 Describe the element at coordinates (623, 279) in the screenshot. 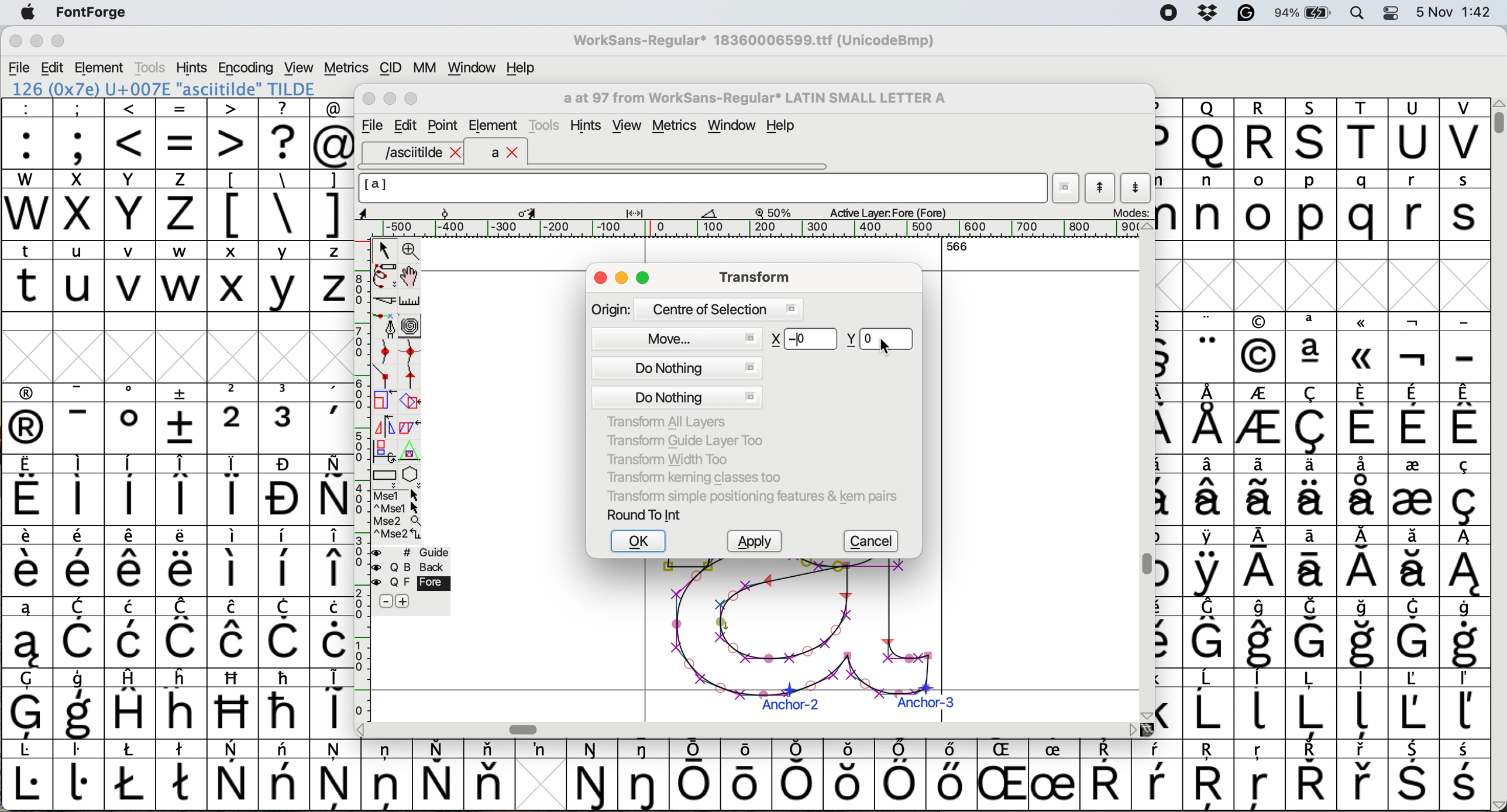

I see `minimise` at that location.